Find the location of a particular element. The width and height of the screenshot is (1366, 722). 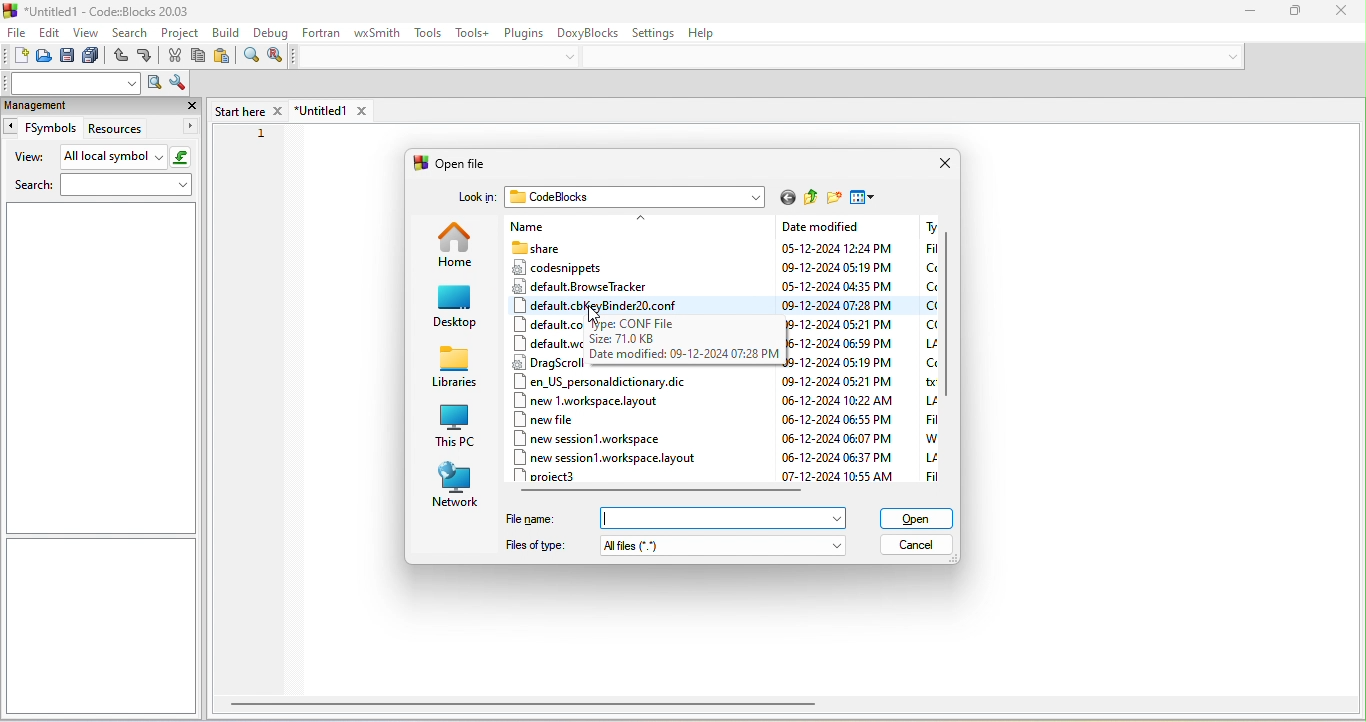

file type is located at coordinates (654, 547).